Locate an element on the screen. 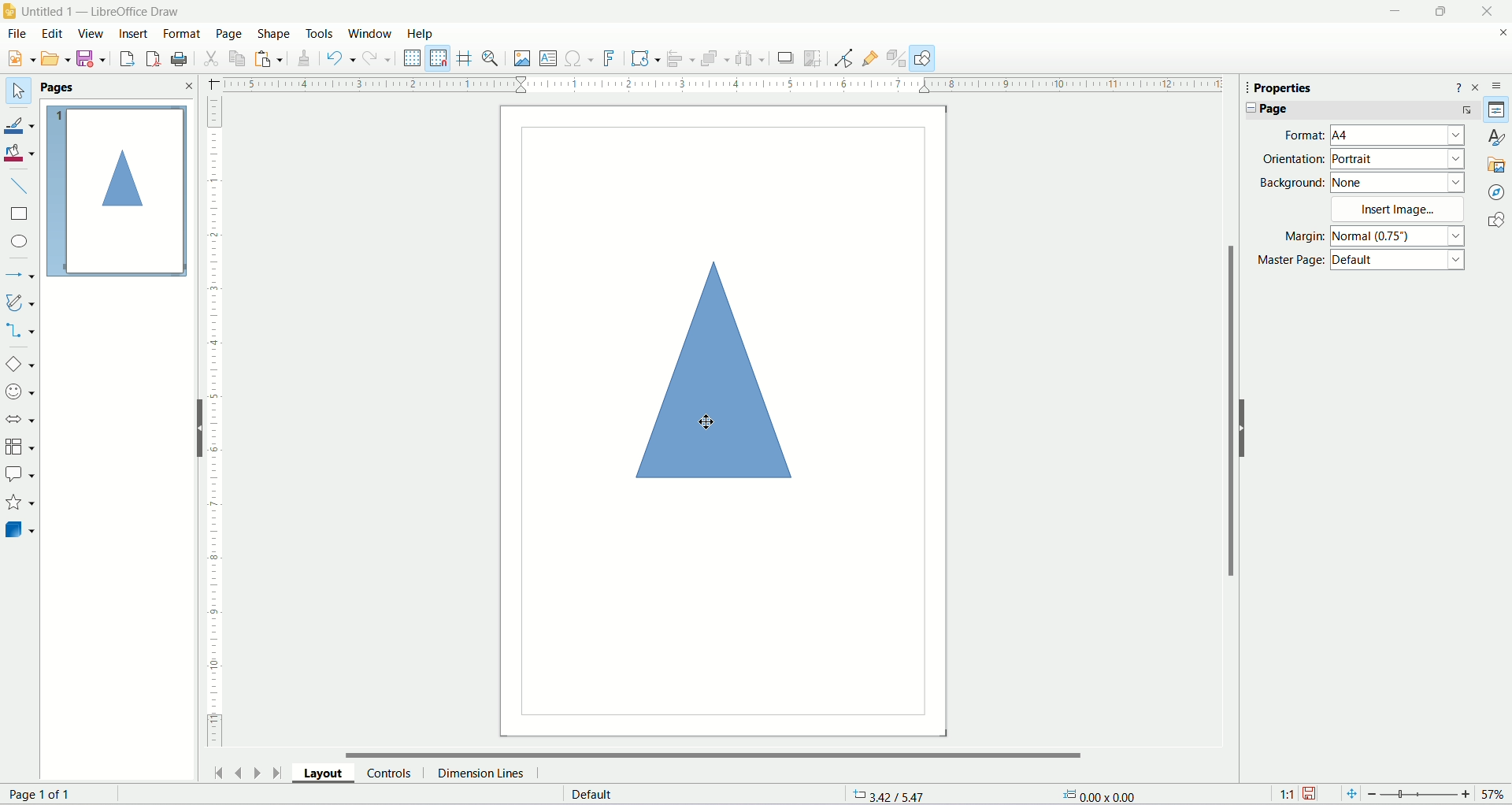  Arrange is located at coordinates (715, 58).